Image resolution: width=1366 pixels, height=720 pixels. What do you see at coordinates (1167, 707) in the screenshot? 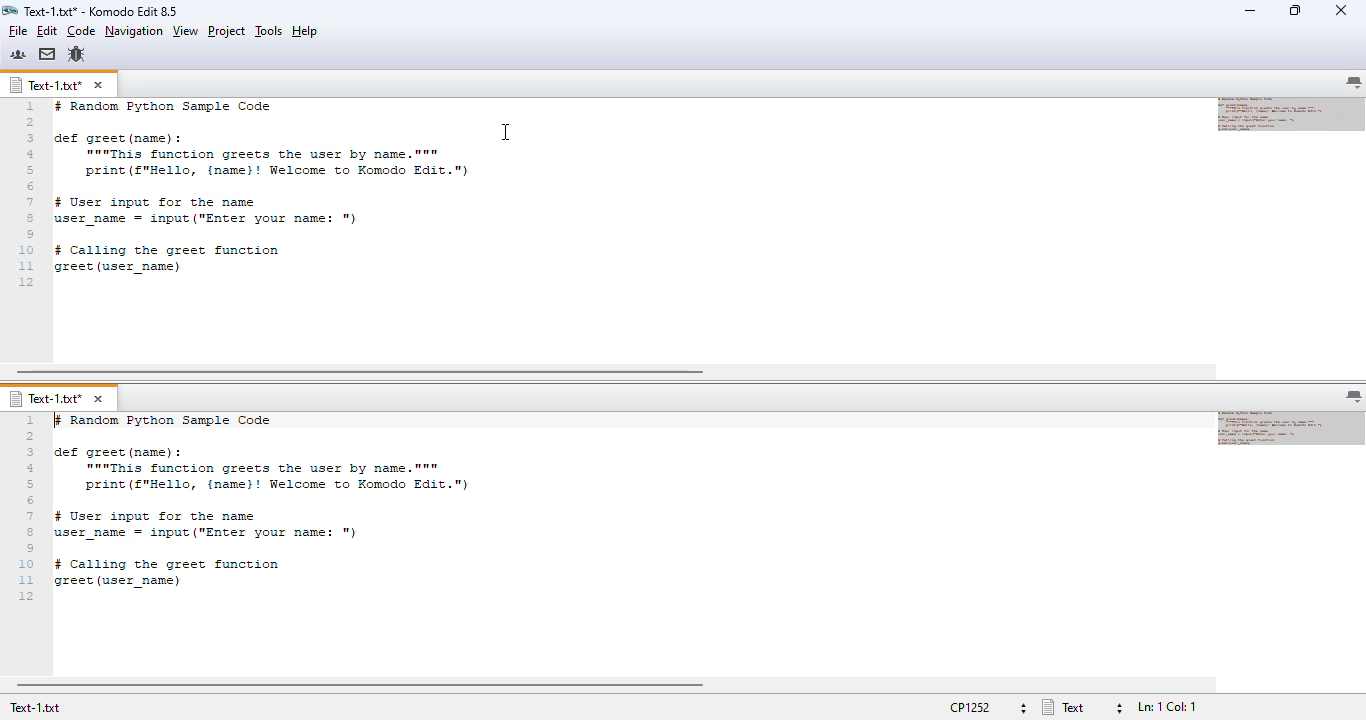
I see `file position` at bounding box center [1167, 707].